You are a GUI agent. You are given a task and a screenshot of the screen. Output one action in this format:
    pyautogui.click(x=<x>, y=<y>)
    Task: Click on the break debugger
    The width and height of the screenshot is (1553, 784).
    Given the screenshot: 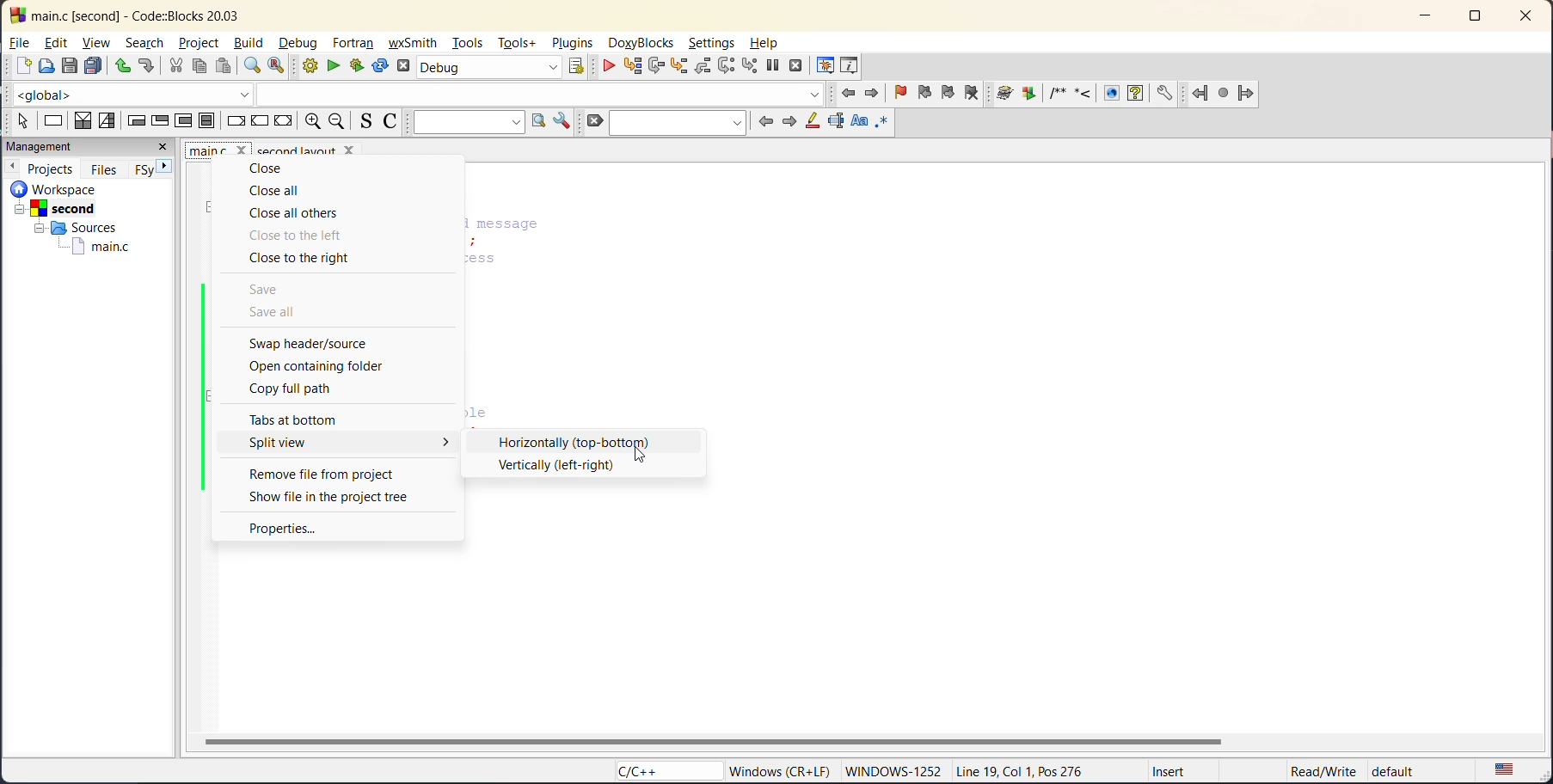 What is the action you would take?
    pyautogui.click(x=771, y=63)
    